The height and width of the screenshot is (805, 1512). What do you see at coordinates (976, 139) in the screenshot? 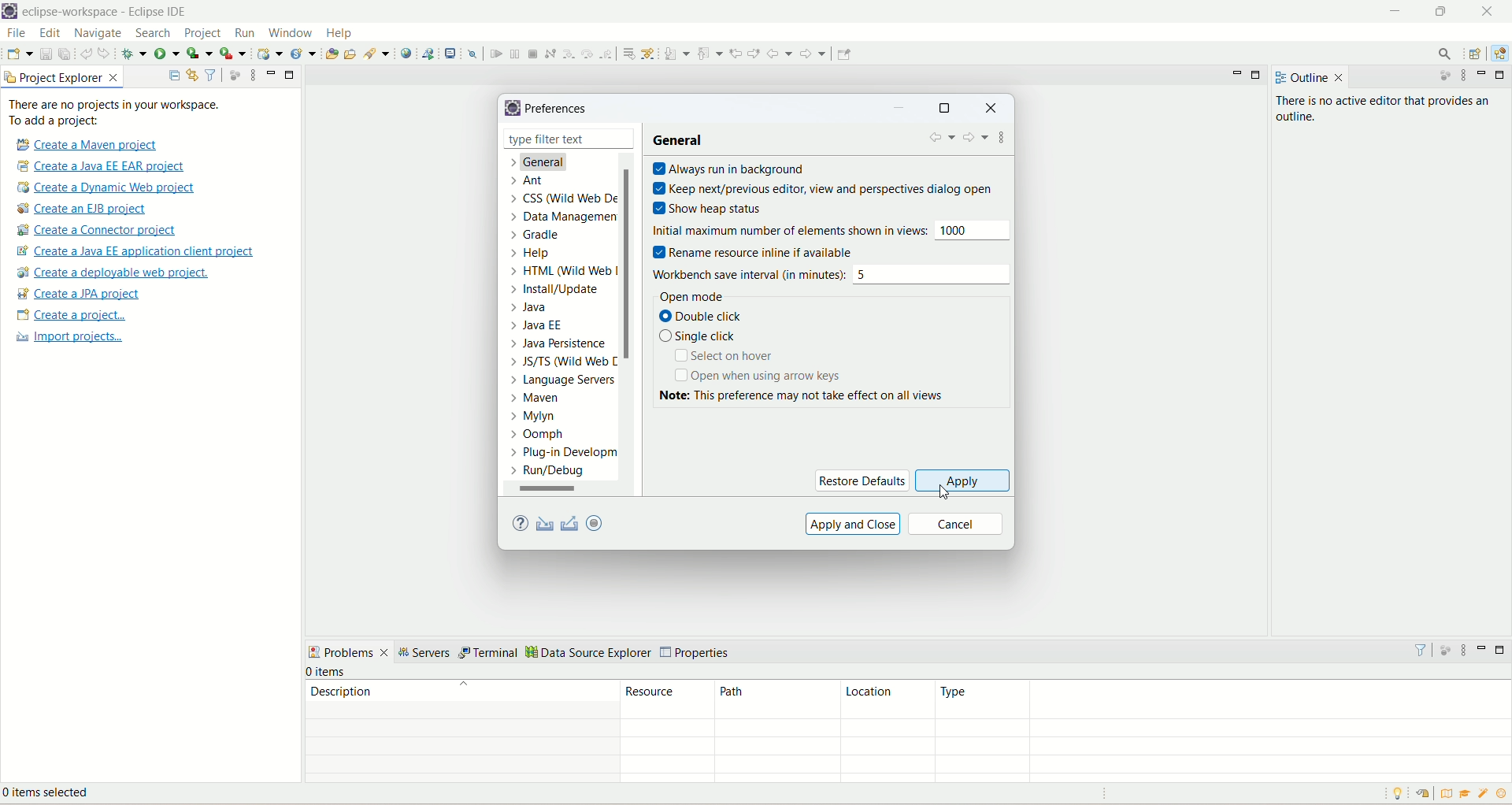
I see `forward` at bounding box center [976, 139].